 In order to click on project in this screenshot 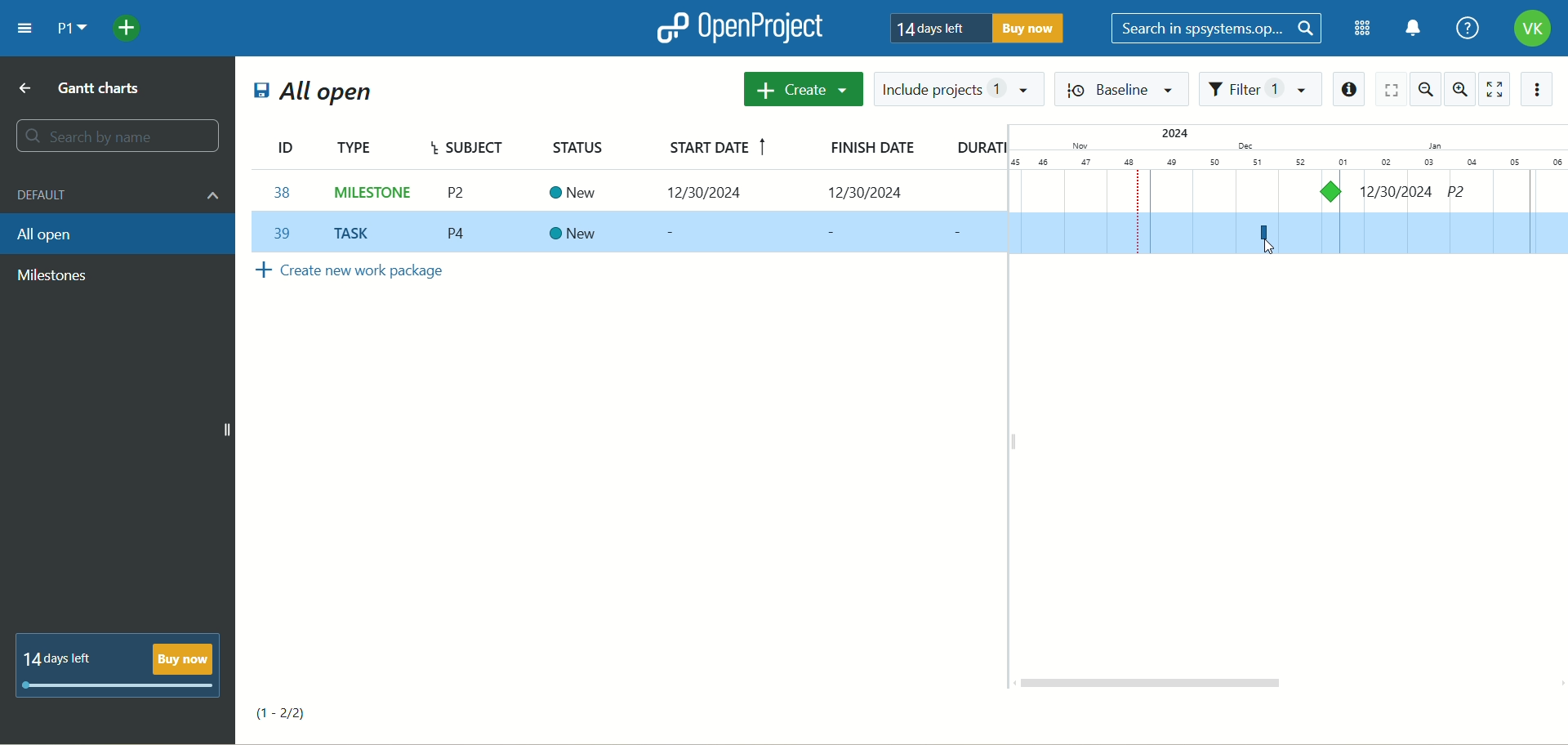, I will do `click(73, 29)`.